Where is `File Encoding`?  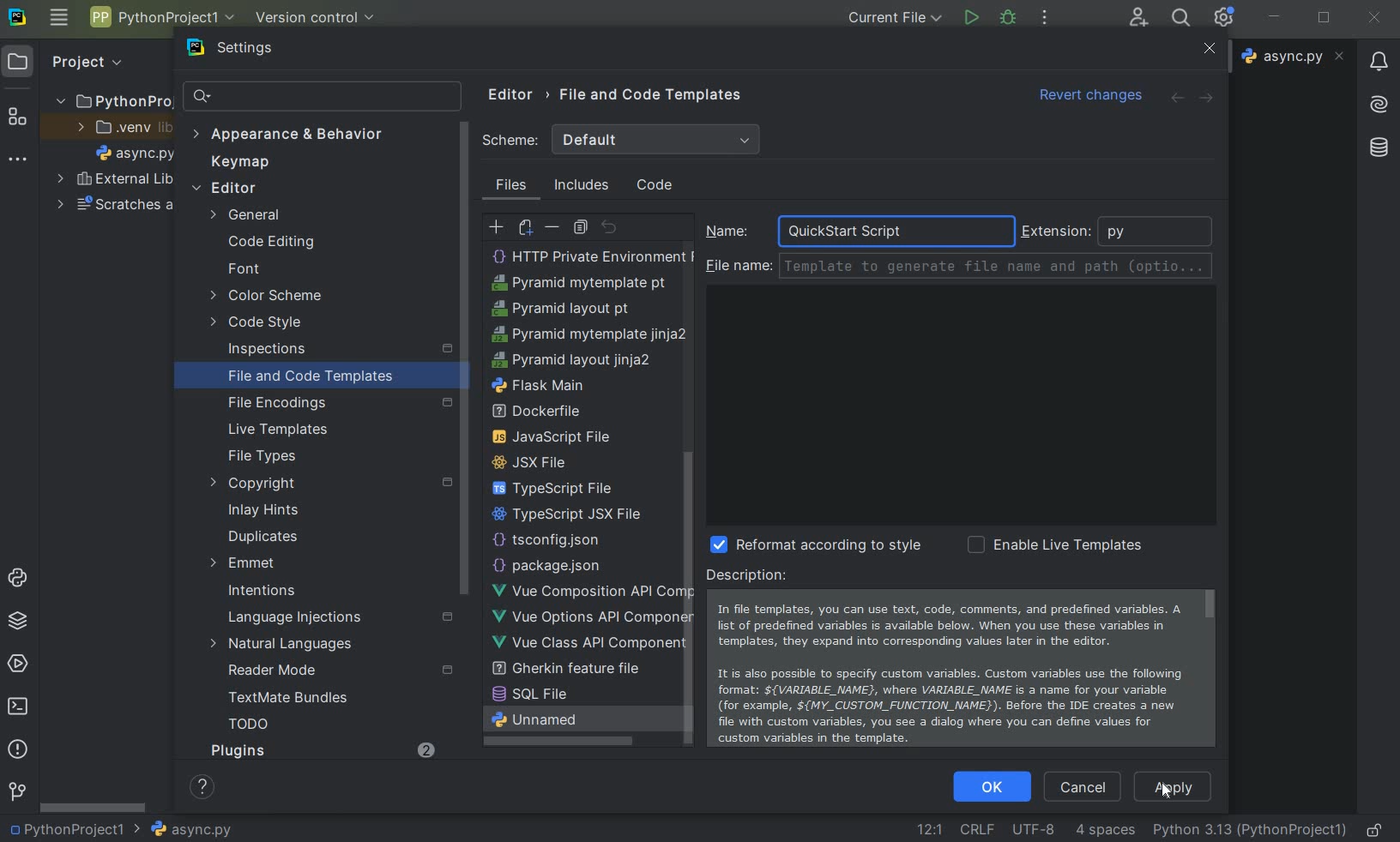 File Encoding is located at coordinates (1035, 829).